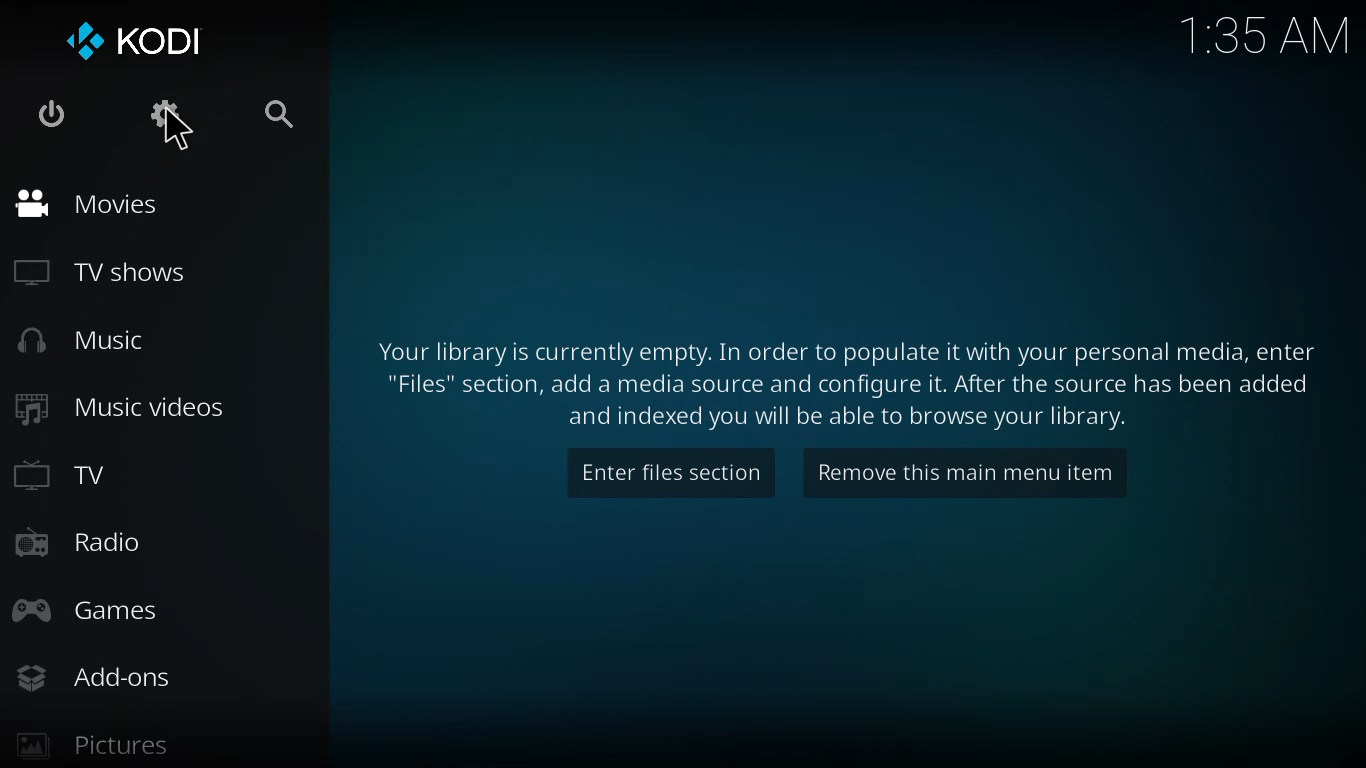 The width and height of the screenshot is (1366, 768). Describe the element at coordinates (960, 480) in the screenshot. I see `remove this main menu item` at that location.